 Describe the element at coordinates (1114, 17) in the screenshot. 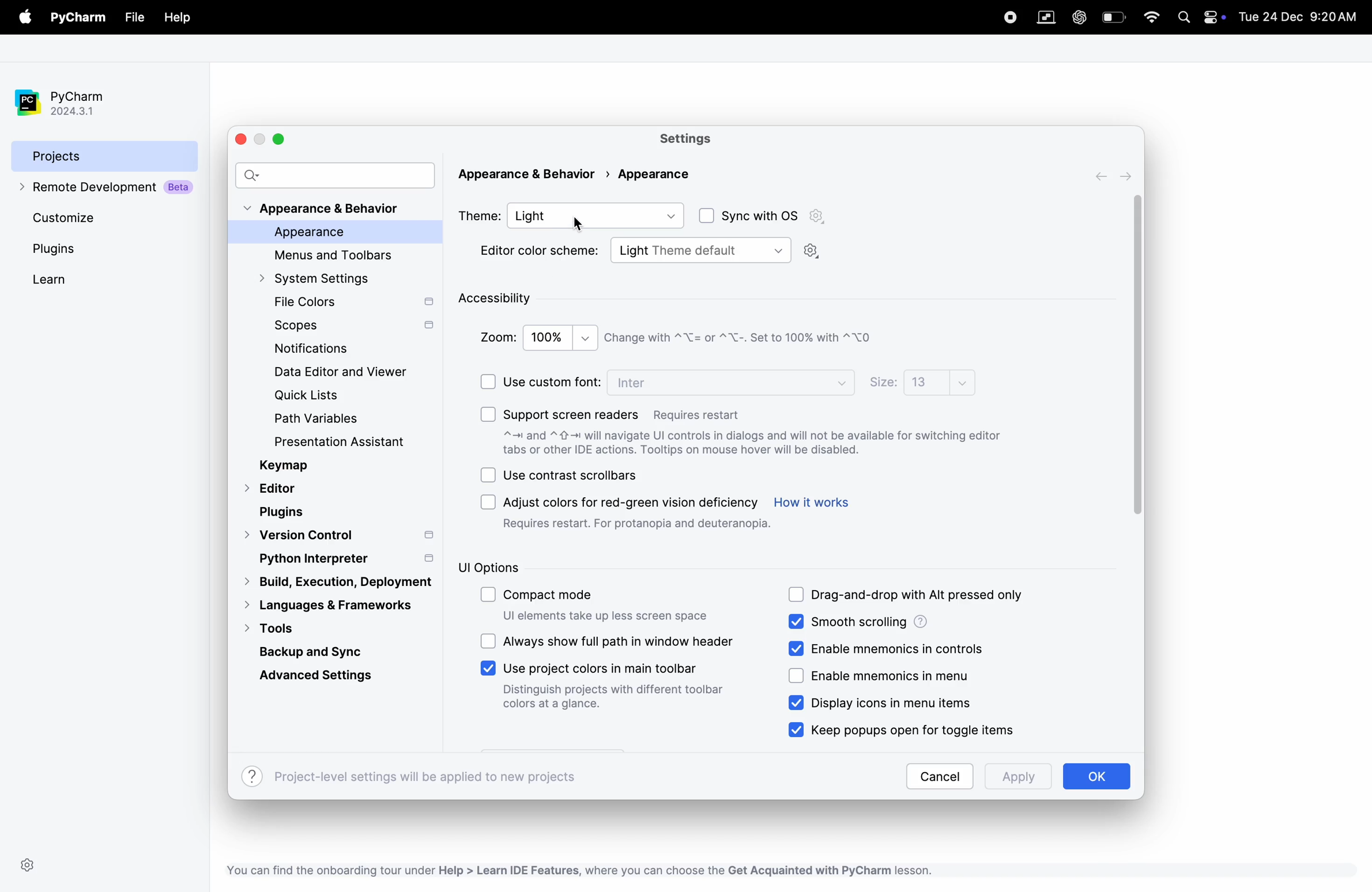

I see `battery` at that location.